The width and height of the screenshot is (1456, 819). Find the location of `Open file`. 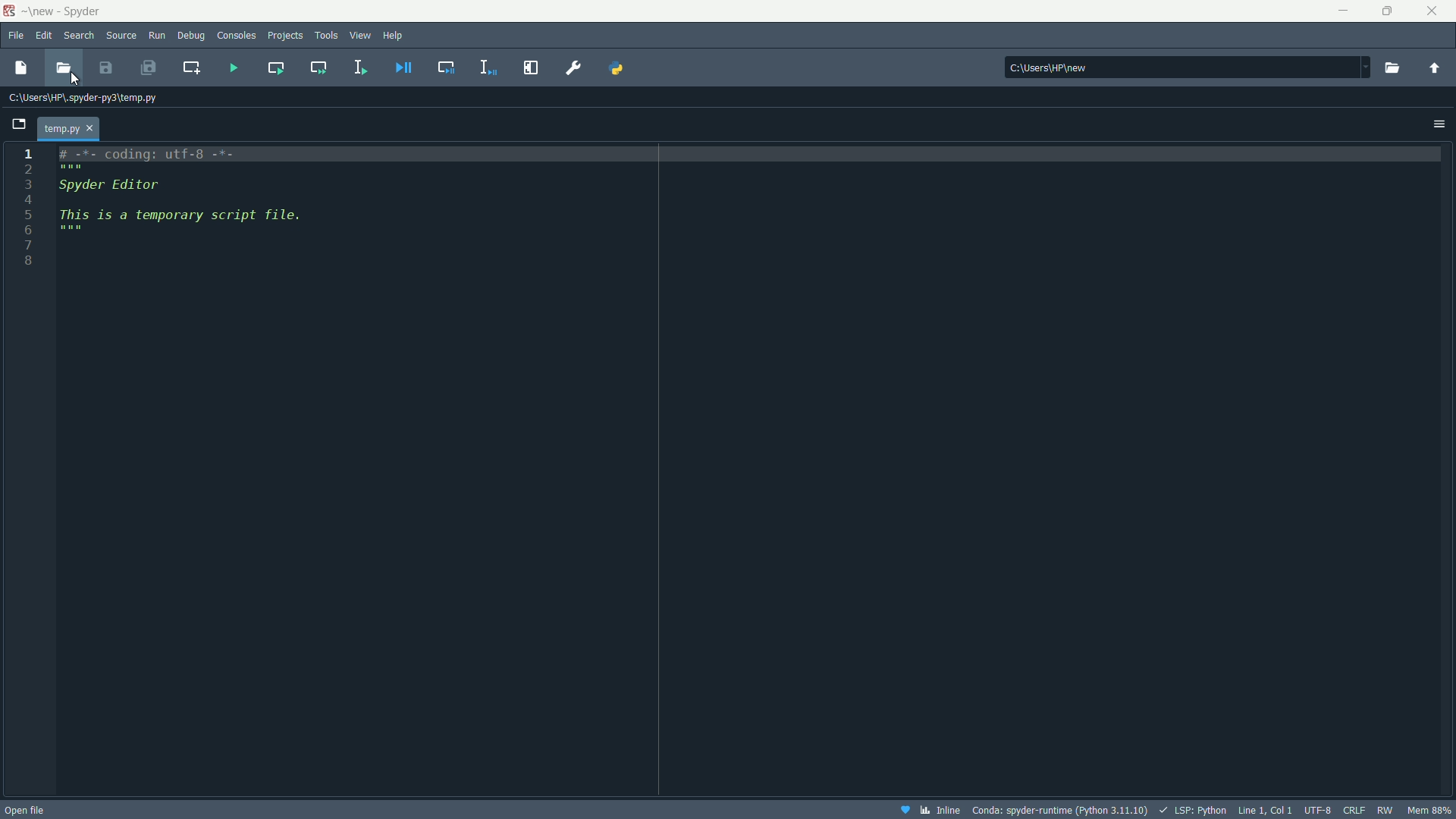

Open file is located at coordinates (26, 807).